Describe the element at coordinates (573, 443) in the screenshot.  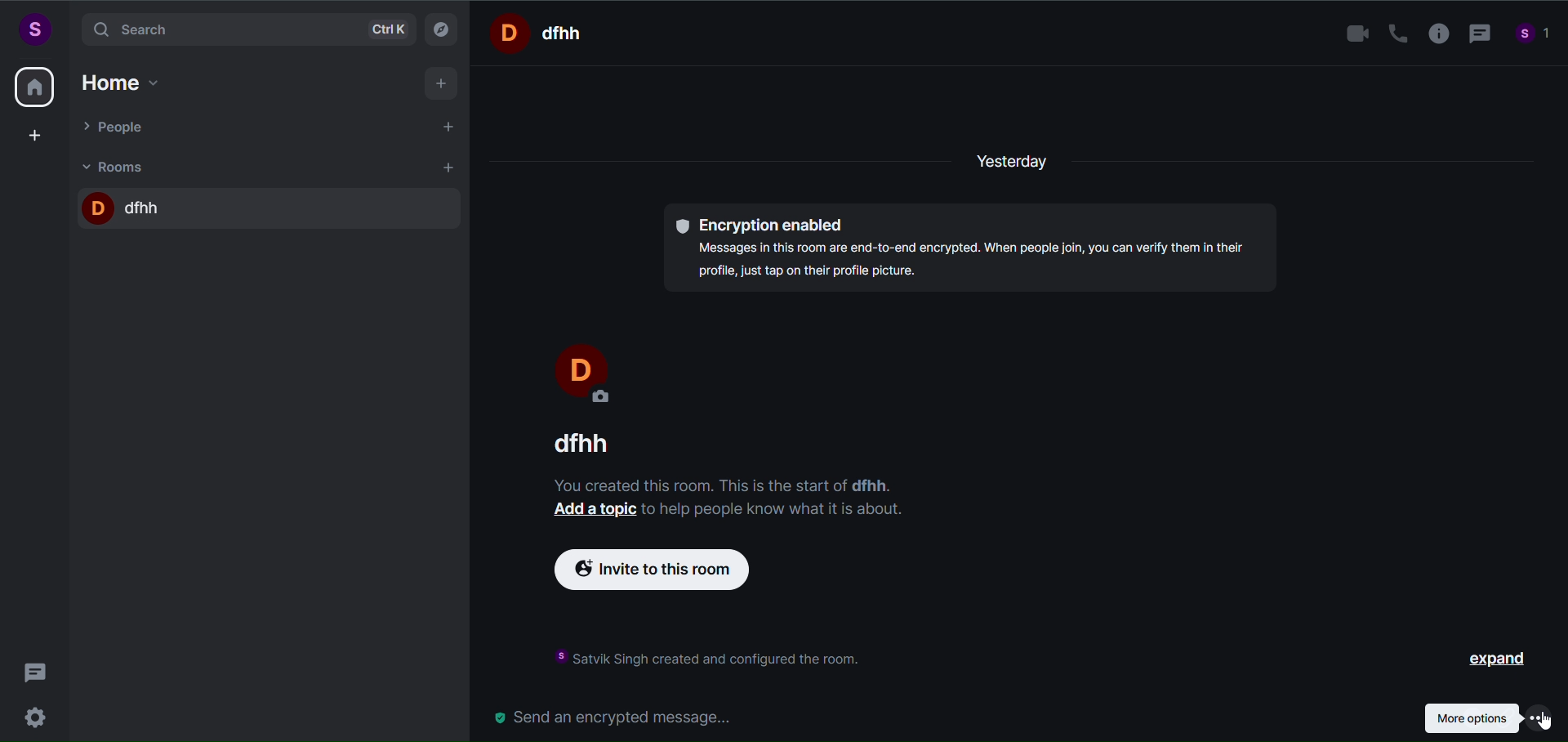
I see `room name` at that location.